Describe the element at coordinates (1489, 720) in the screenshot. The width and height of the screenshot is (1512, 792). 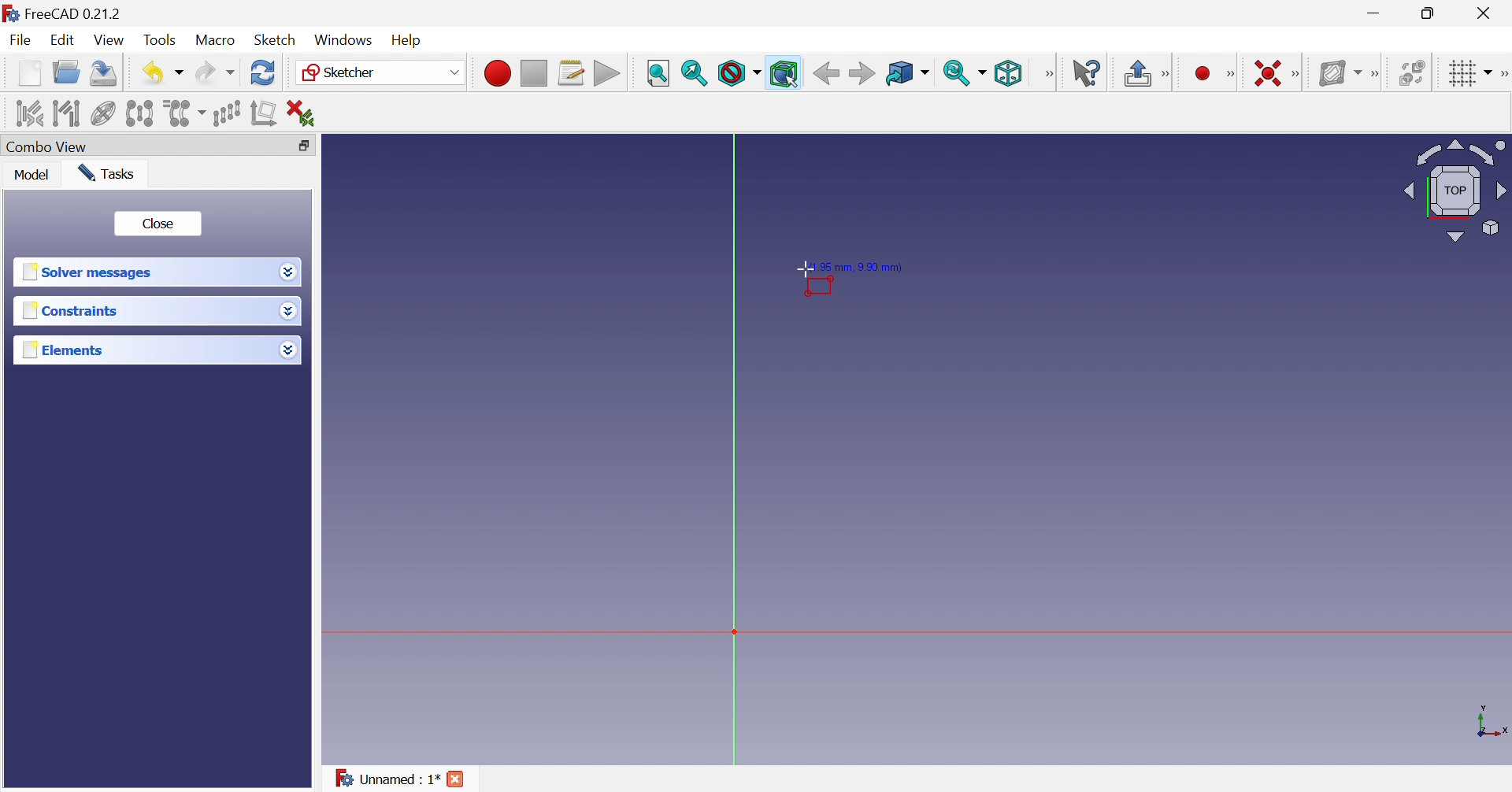
I see `x, y axis` at that location.